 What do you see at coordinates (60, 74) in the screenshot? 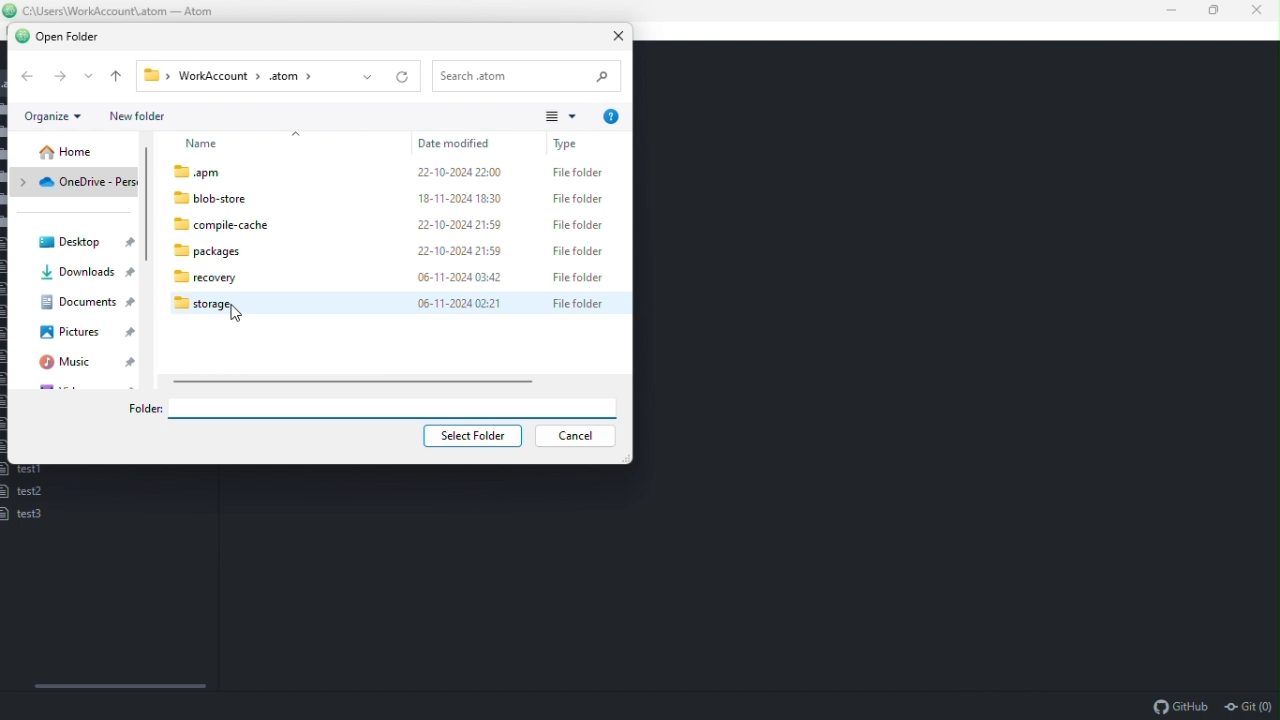
I see `` at bounding box center [60, 74].